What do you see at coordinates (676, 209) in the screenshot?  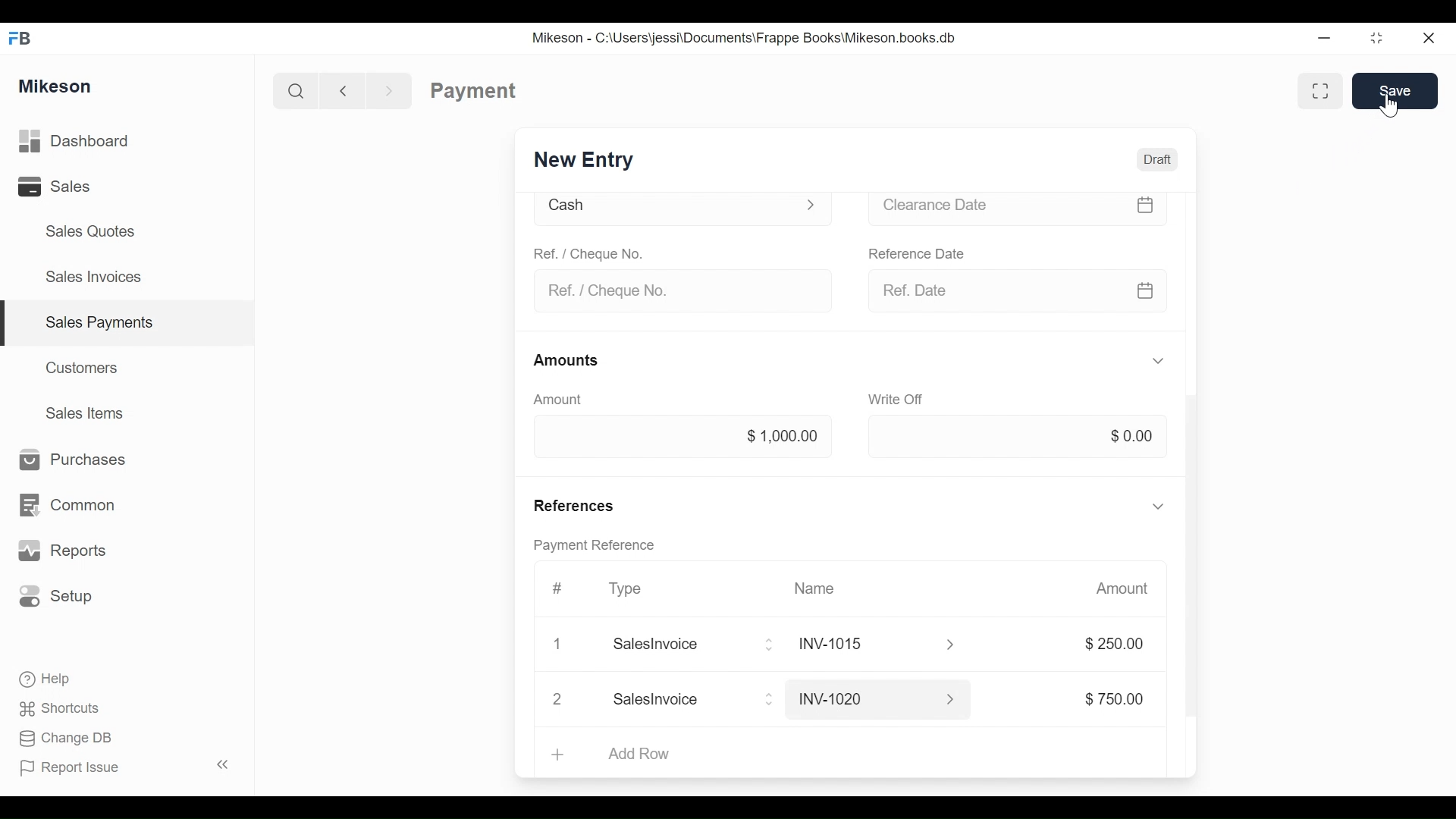 I see `Cash` at bounding box center [676, 209].